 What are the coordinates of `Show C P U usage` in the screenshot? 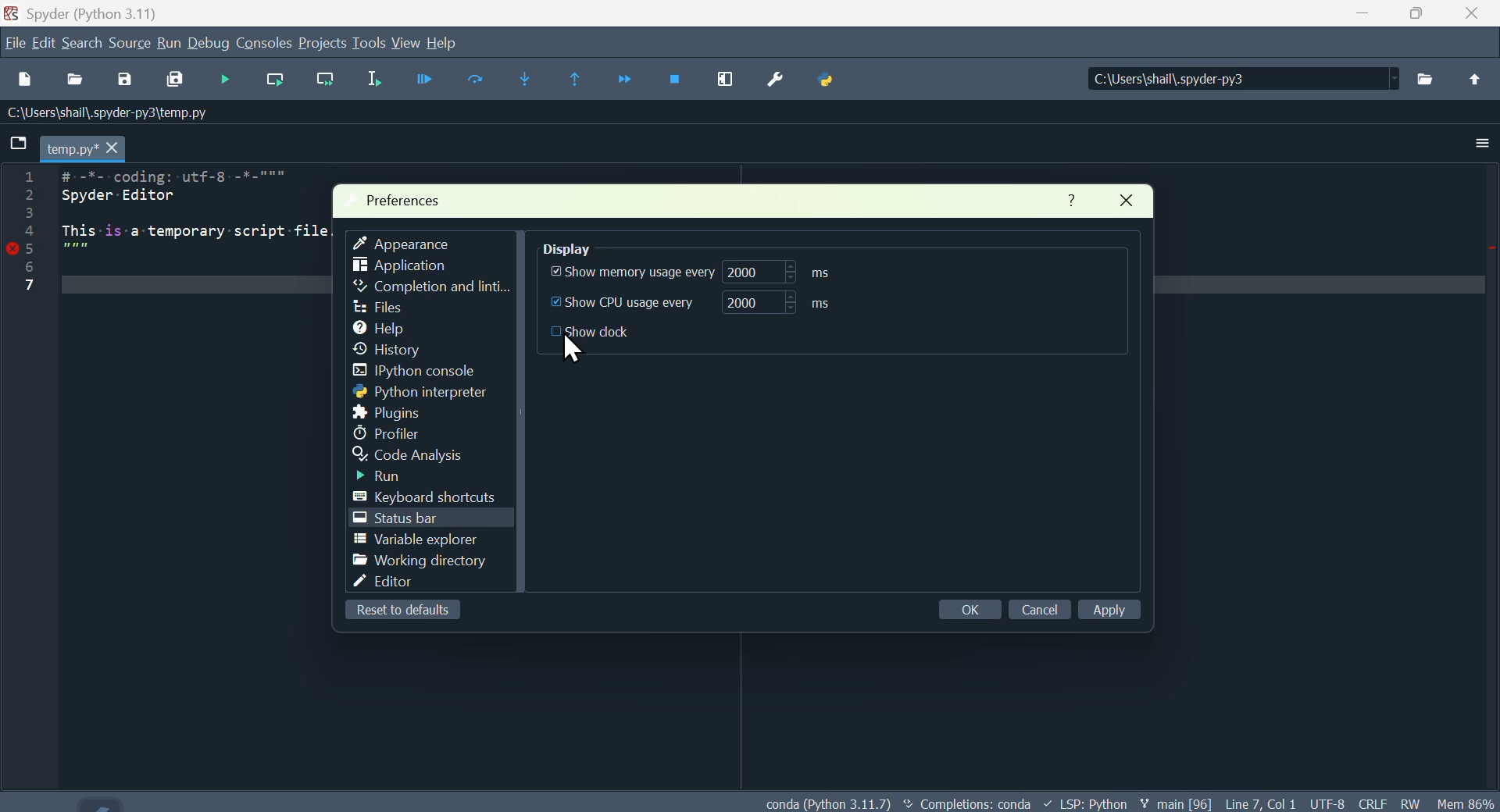 It's located at (709, 303).